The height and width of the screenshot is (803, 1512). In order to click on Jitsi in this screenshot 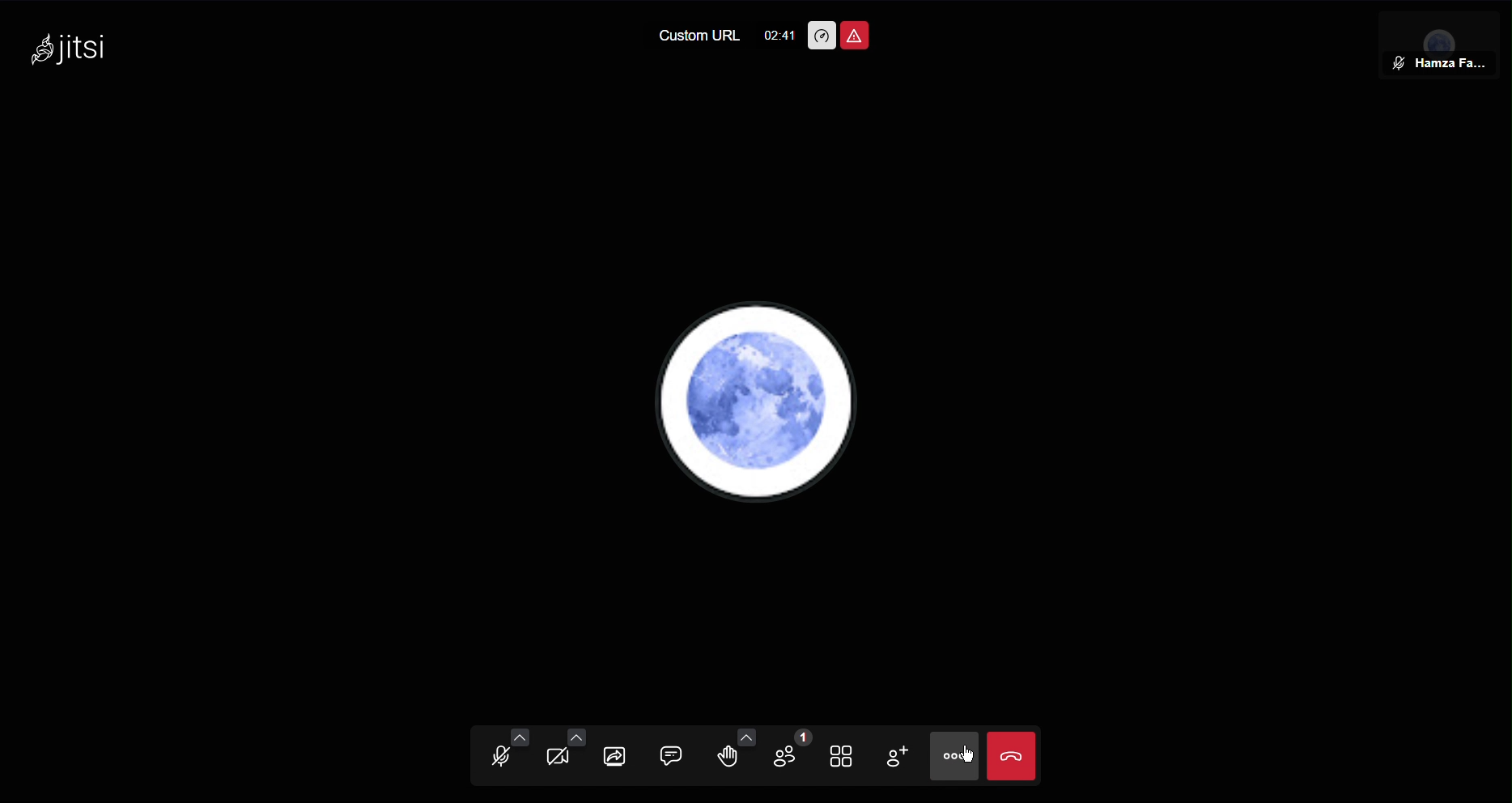, I will do `click(75, 49)`.